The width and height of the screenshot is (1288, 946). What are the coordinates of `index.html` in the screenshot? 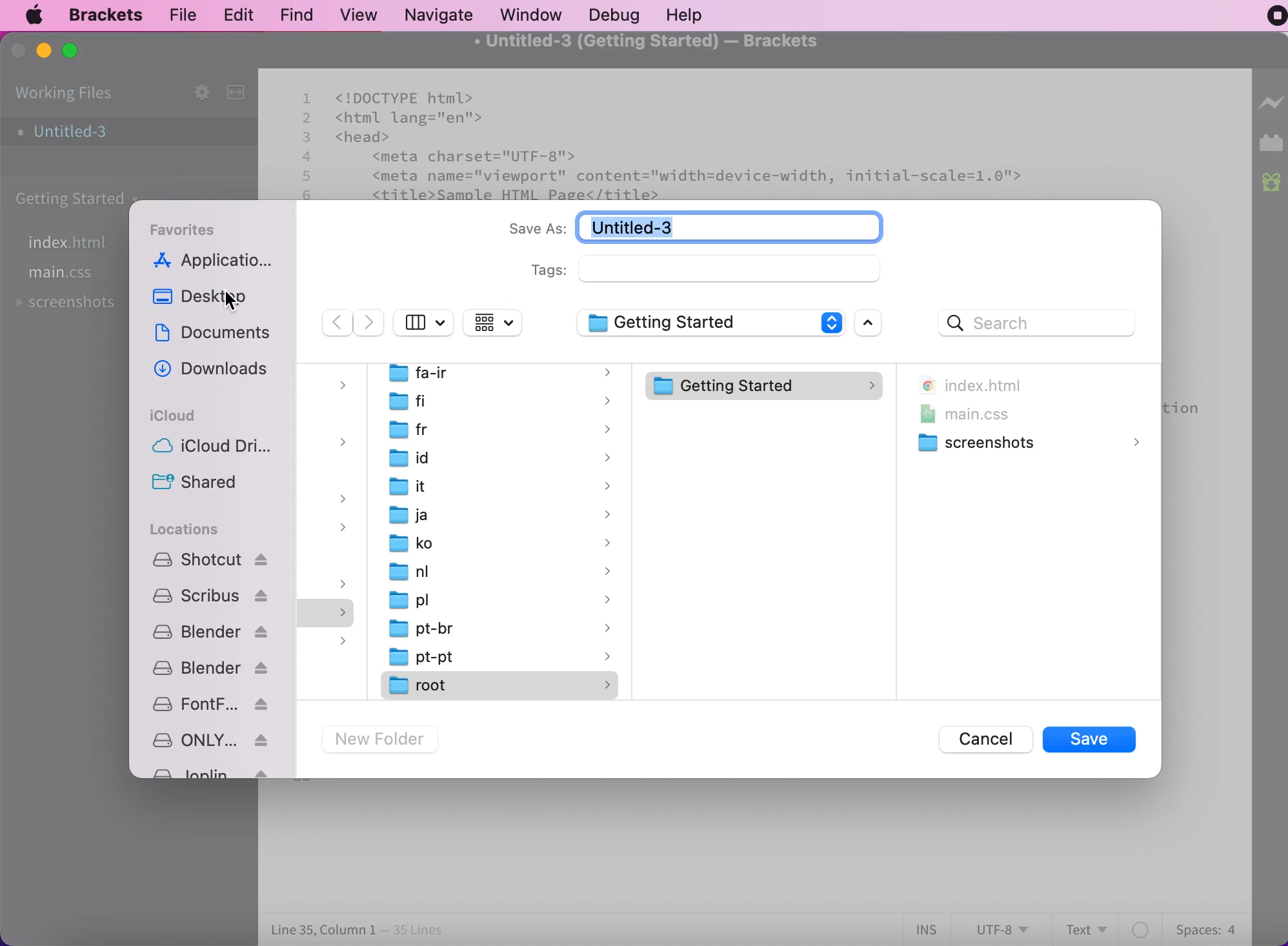 It's located at (983, 385).